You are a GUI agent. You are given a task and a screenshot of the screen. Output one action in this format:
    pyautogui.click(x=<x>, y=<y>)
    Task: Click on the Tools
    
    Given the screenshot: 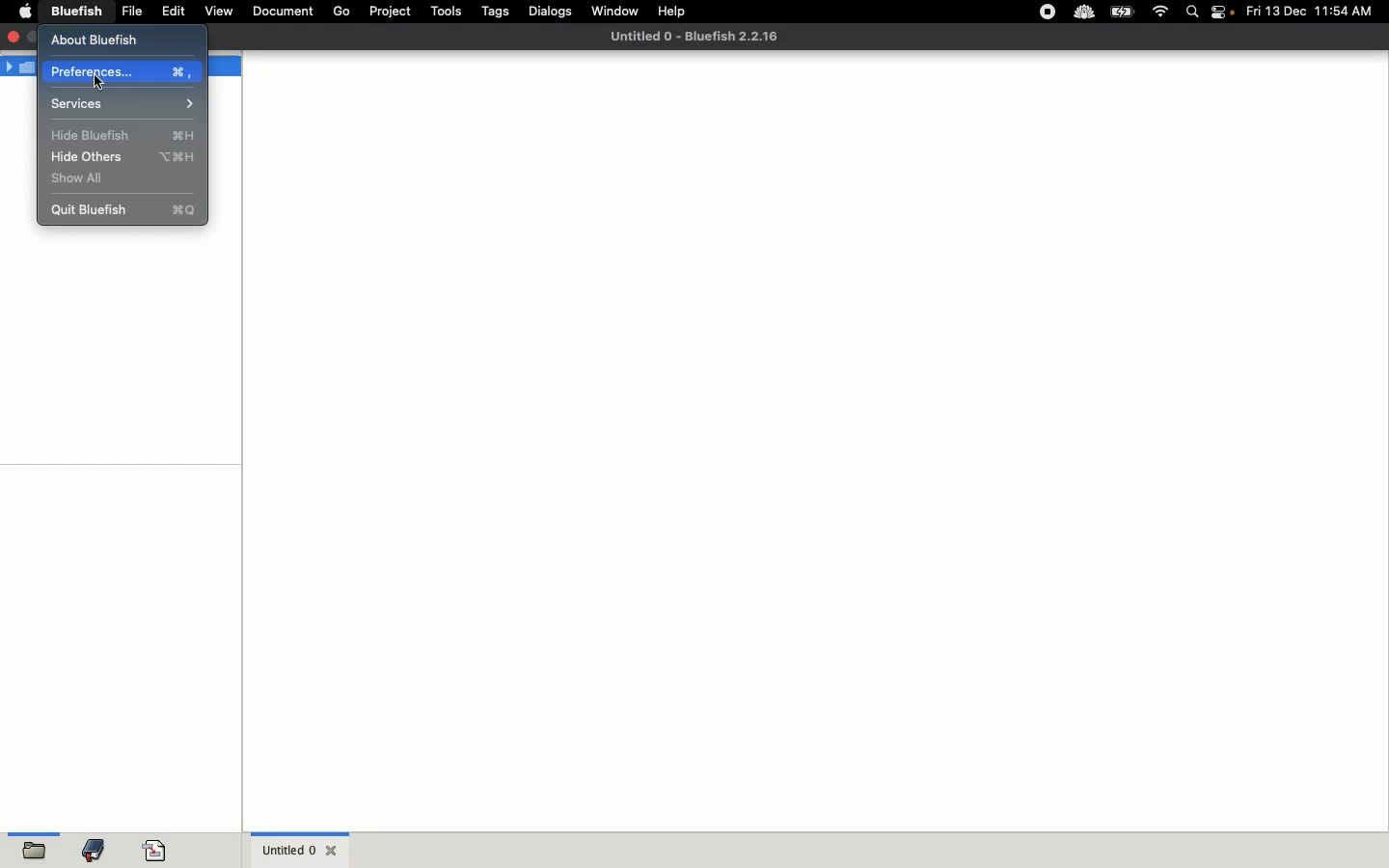 What is the action you would take?
    pyautogui.click(x=447, y=11)
    